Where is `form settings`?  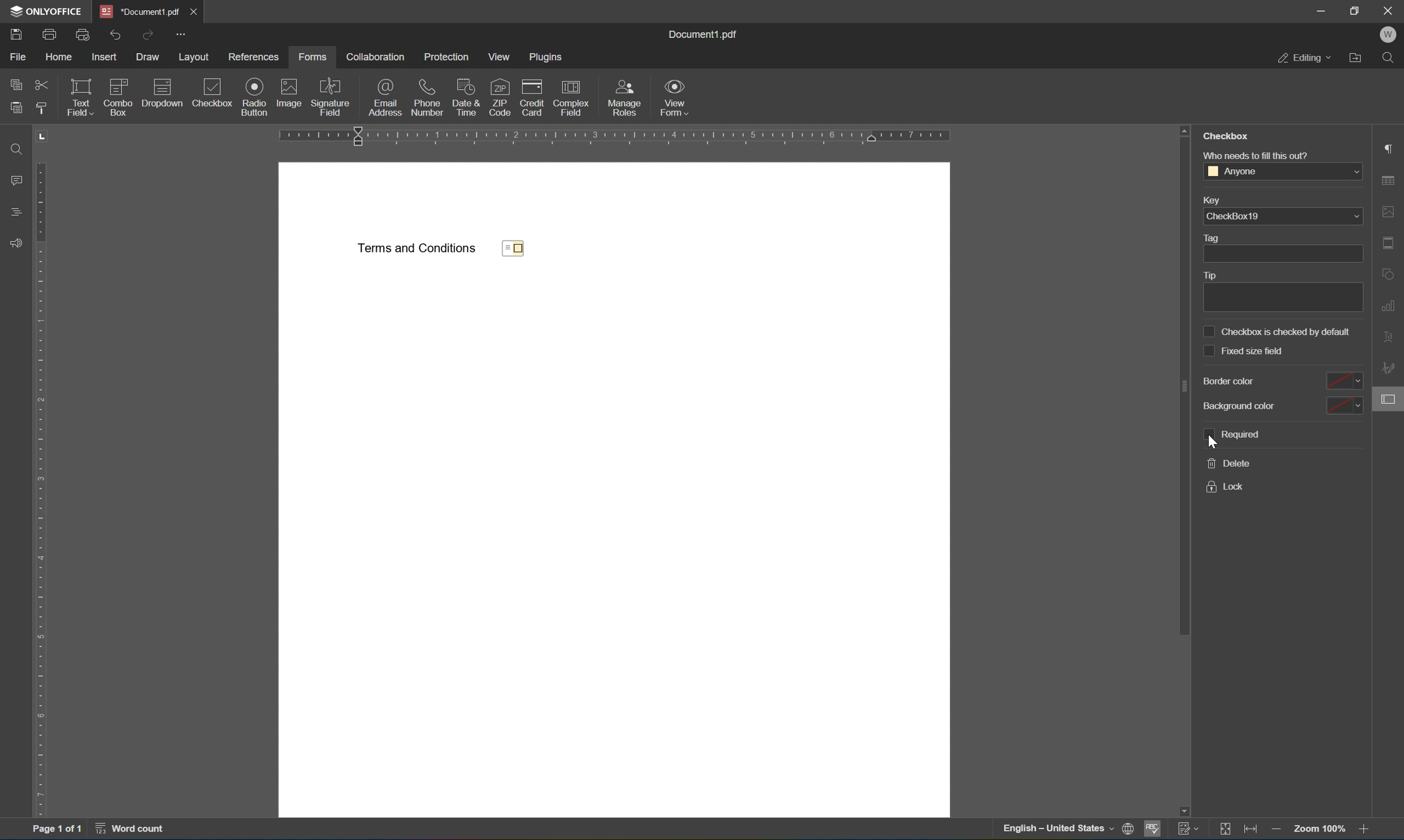
form settings is located at coordinates (1388, 402).